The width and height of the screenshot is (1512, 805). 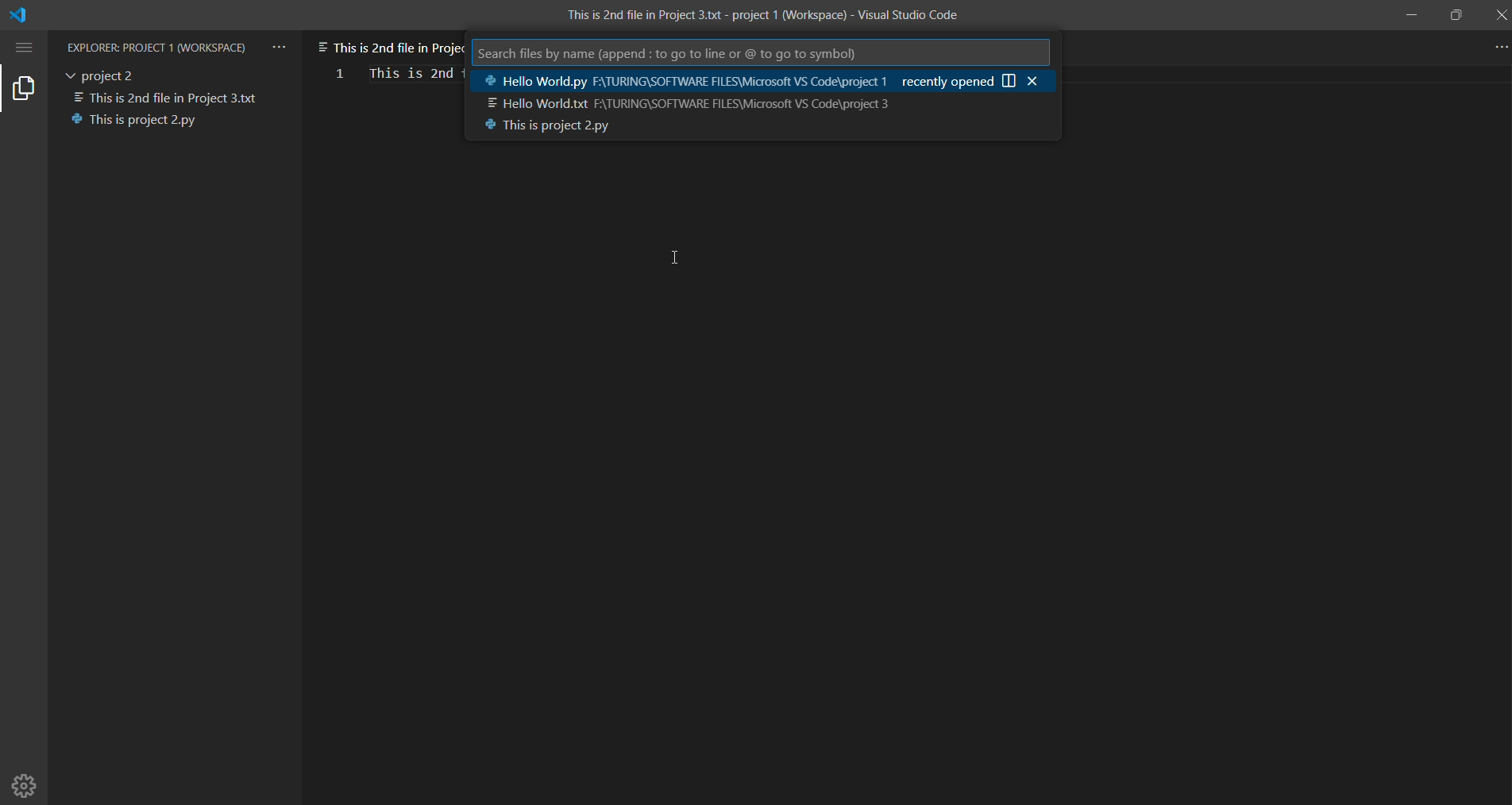 I want to click on minimize, so click(x=1410, y=16).